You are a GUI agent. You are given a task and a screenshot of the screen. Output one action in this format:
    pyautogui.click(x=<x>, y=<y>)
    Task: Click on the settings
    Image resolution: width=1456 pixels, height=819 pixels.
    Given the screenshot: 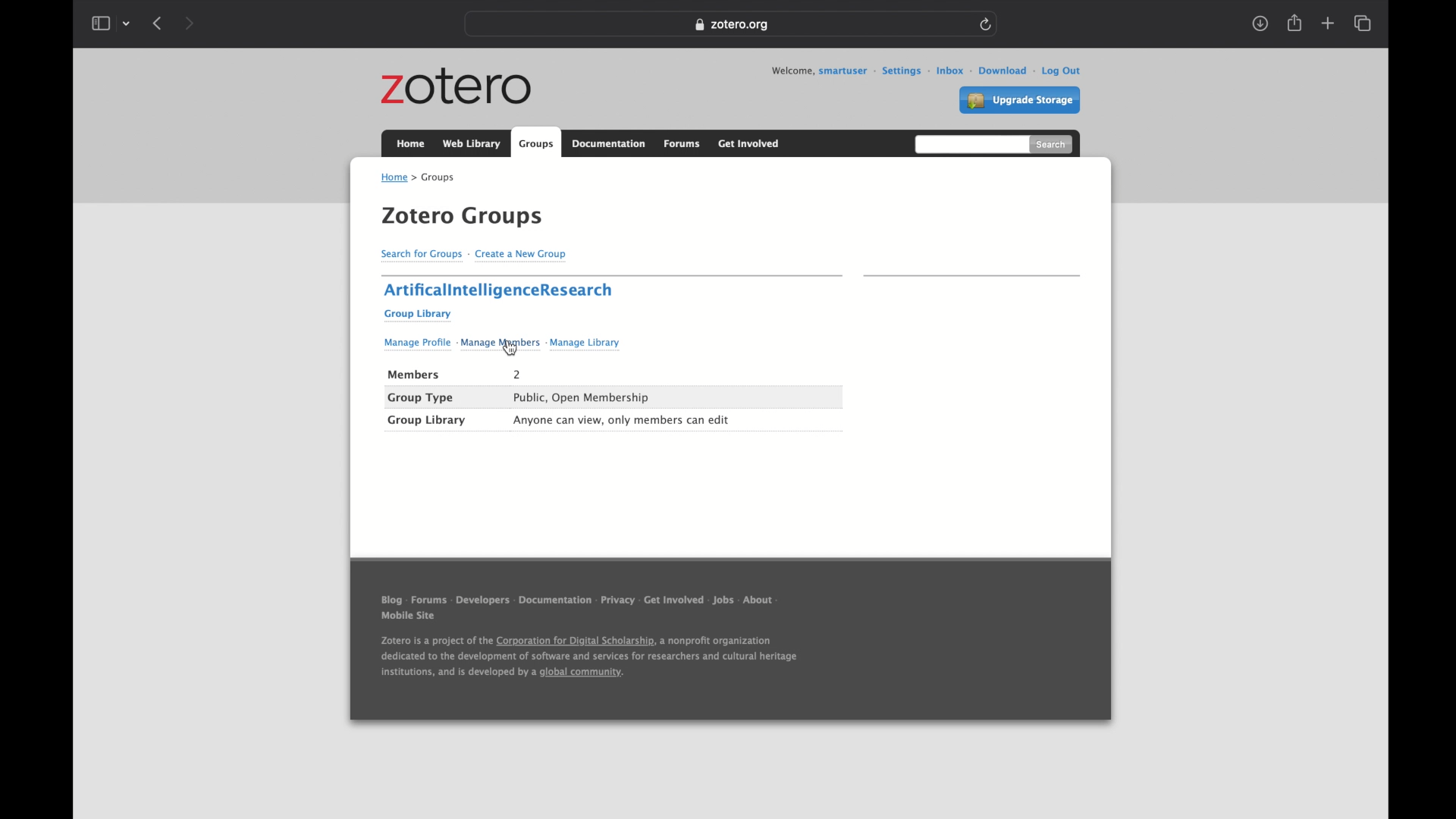 What is the action you would take?
    pyautogui.click(x=897, y=71)
    